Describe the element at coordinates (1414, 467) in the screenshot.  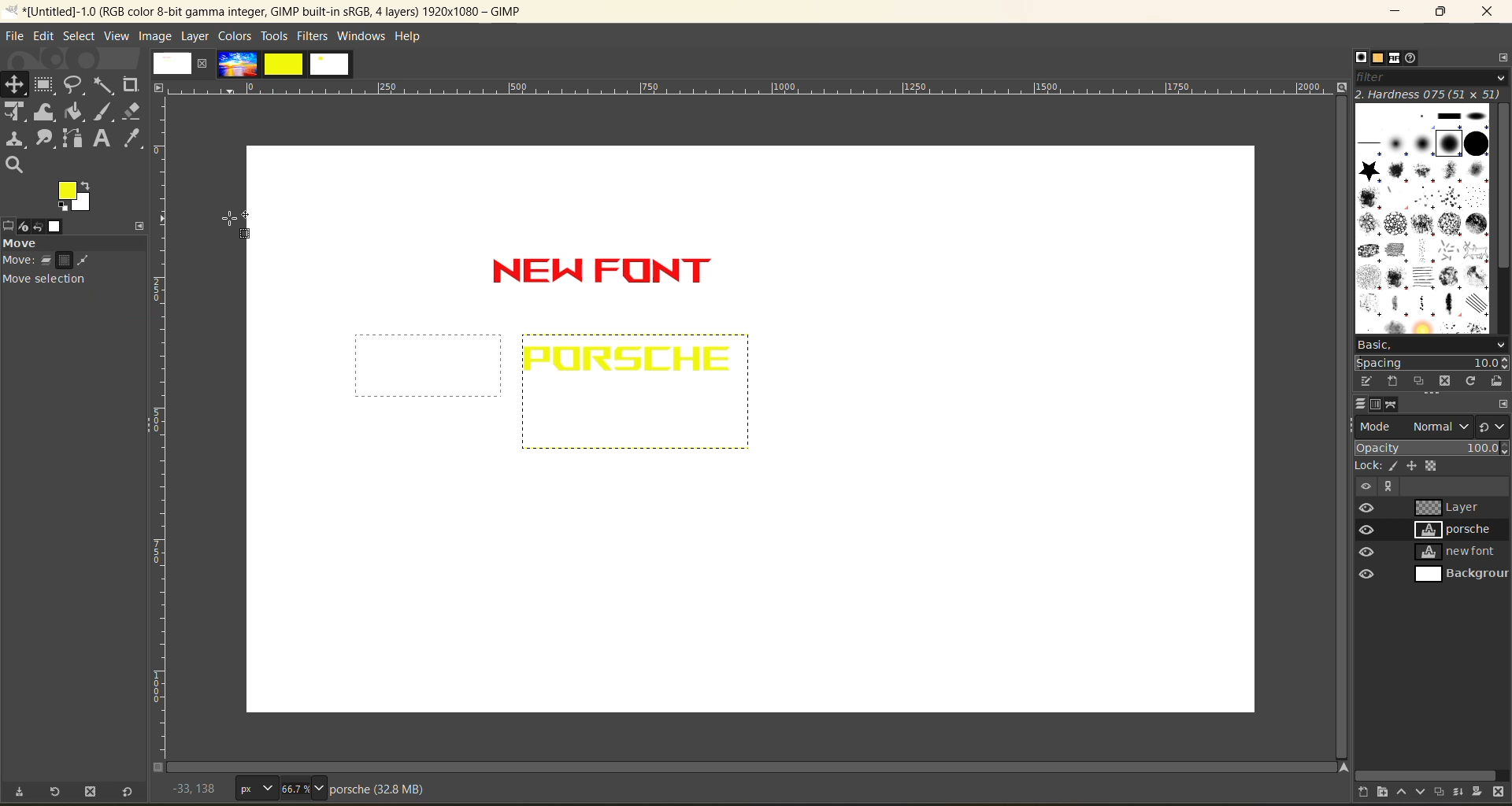
I see `position and size` at that location.